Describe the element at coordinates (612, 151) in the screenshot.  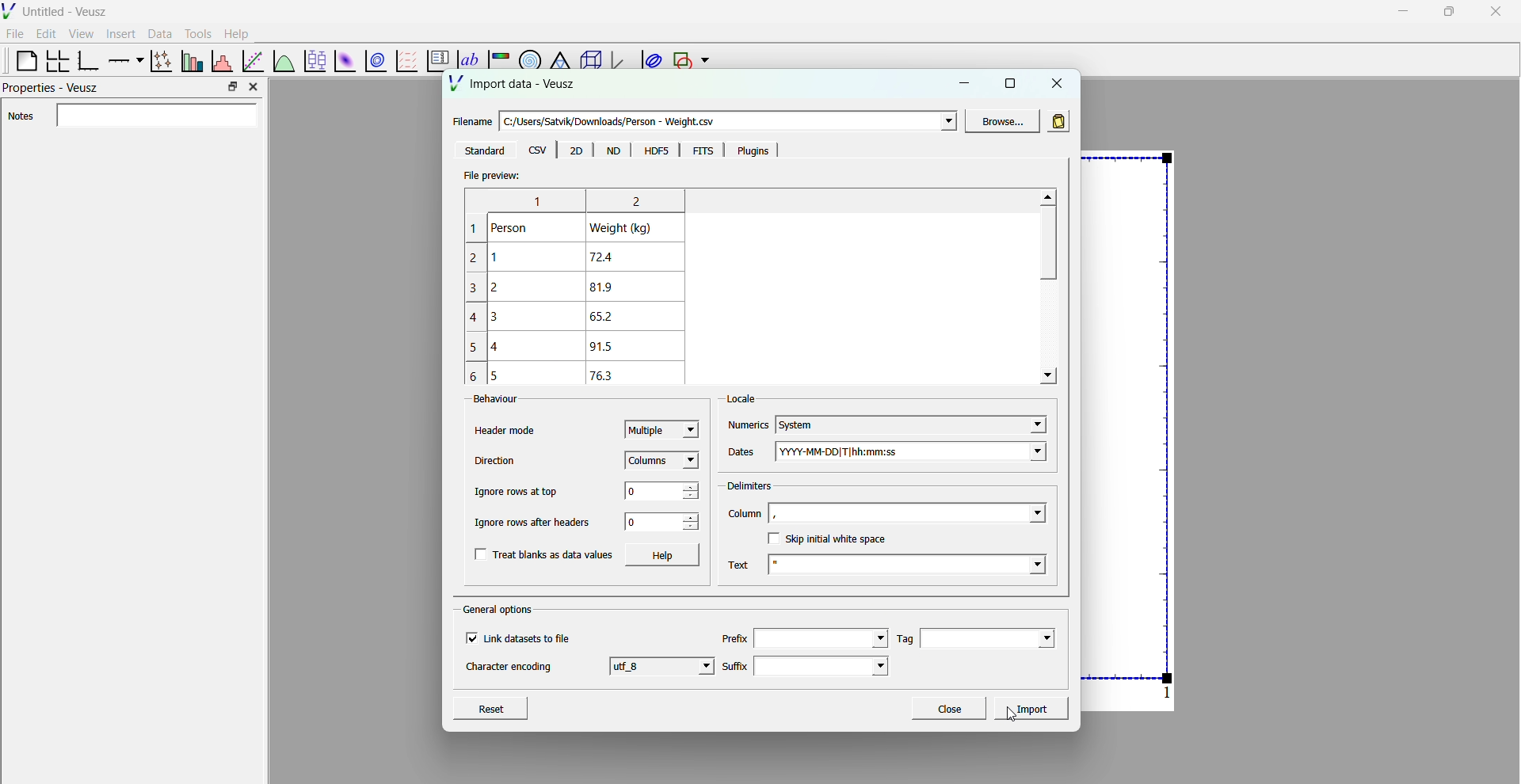
I see `ND.` at that location.